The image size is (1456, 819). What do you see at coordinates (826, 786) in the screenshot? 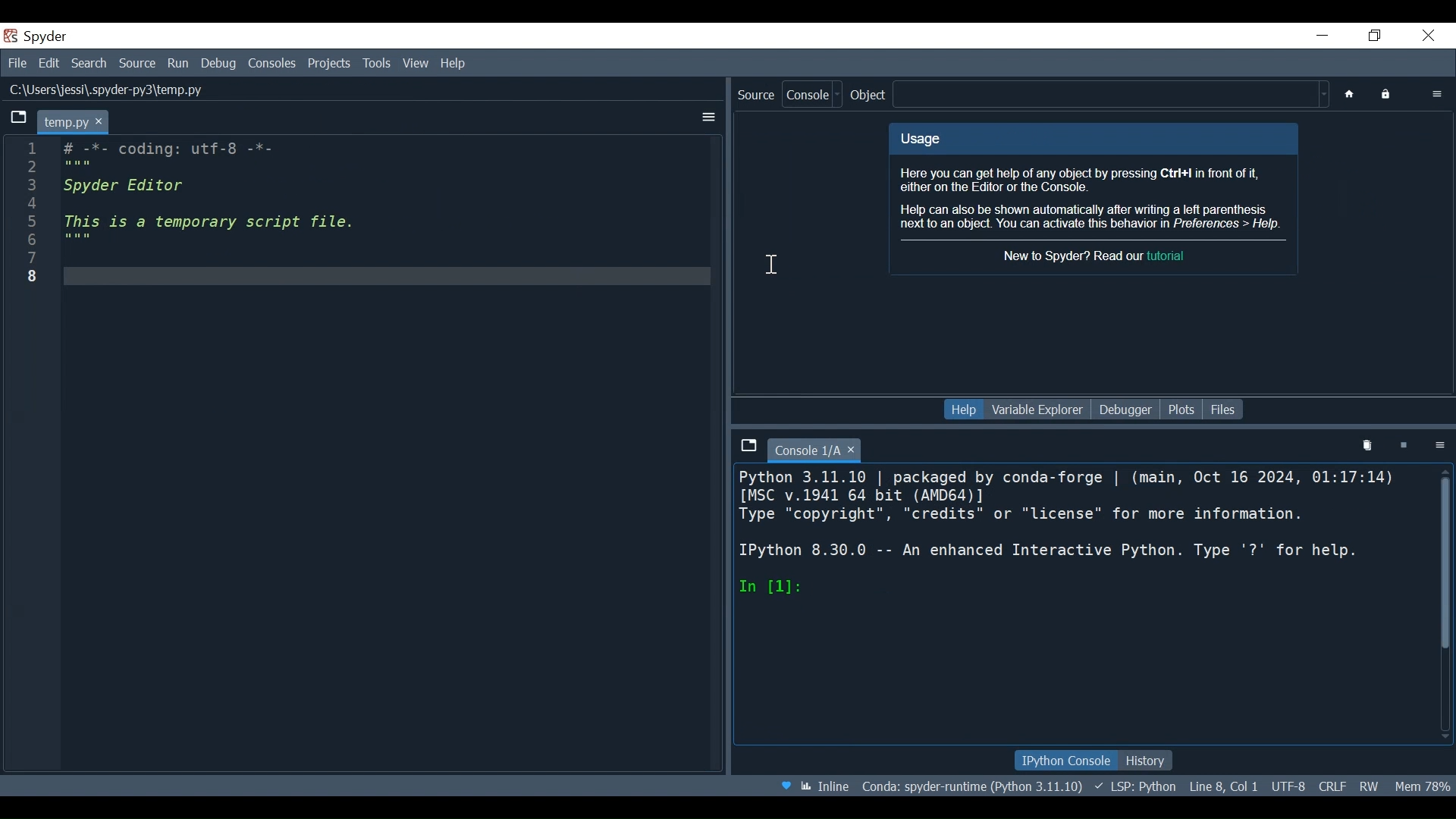
I see `Toggle inline and interactive Matplotlib plotting` at bounding box center [826, 786].